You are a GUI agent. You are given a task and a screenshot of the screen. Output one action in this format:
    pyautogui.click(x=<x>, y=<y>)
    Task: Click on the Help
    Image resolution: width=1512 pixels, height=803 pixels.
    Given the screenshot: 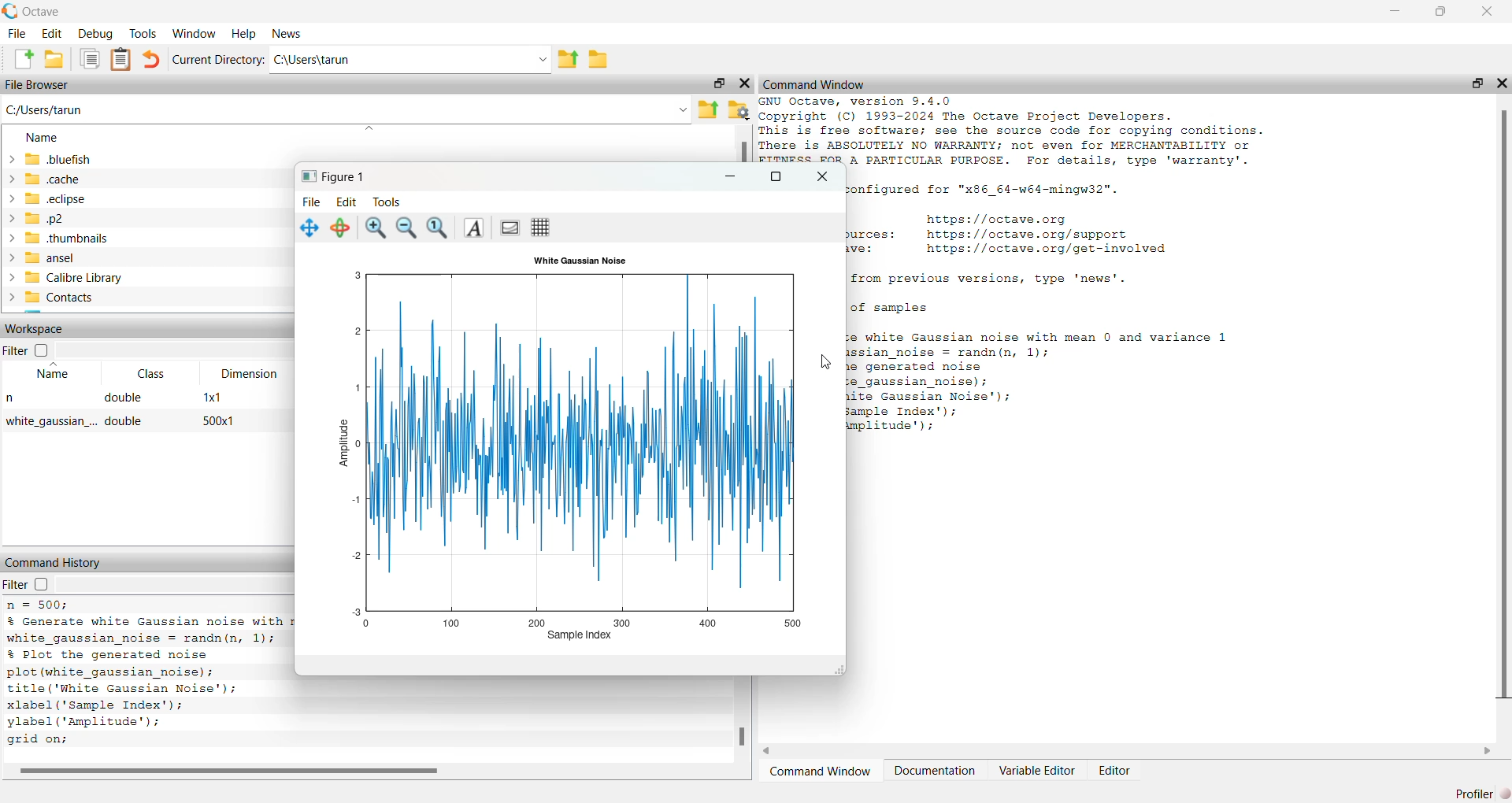 What is the action you would take?
    pyautogui.click(x=243, y=35)
    